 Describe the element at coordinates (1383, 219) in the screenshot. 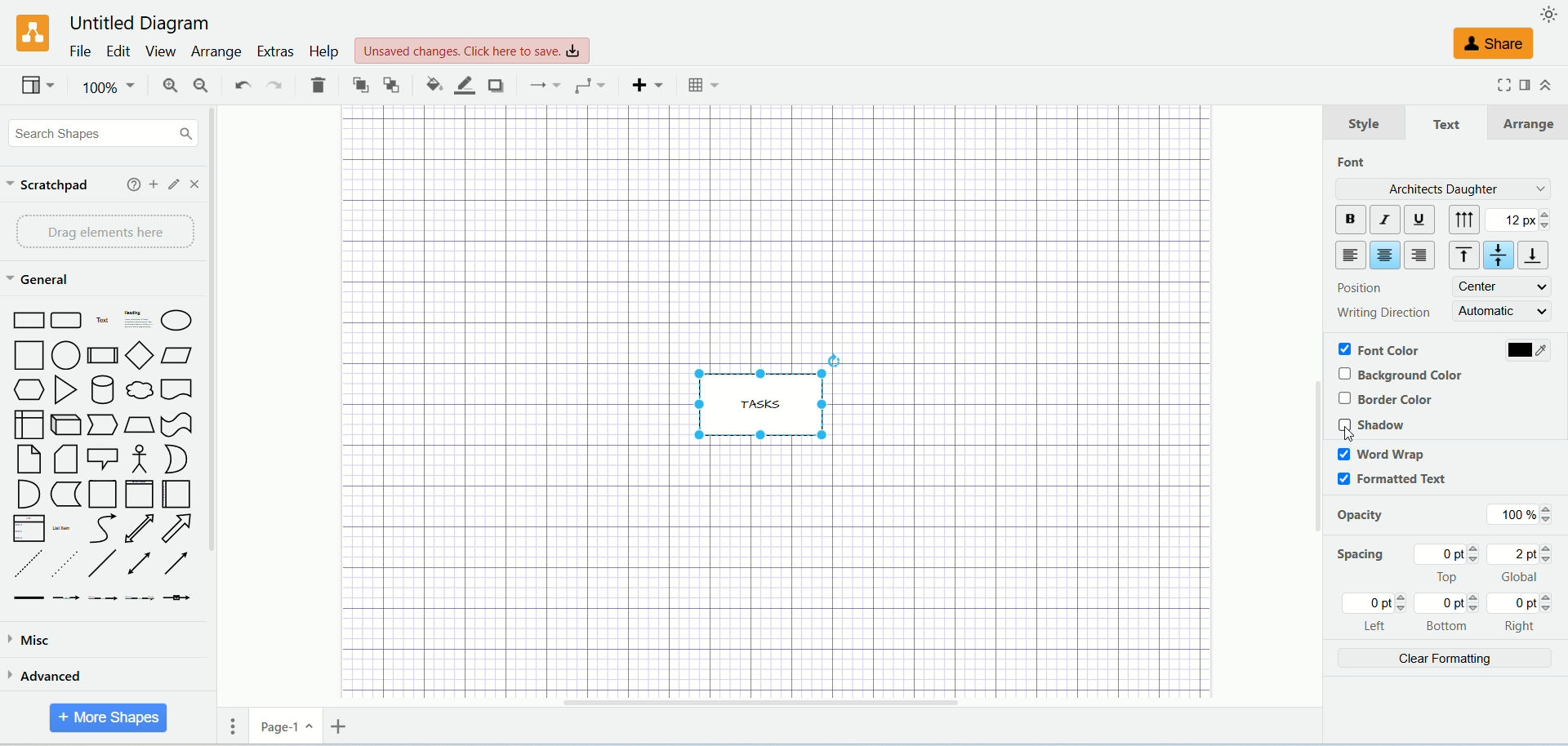

I see `italics` at that location.